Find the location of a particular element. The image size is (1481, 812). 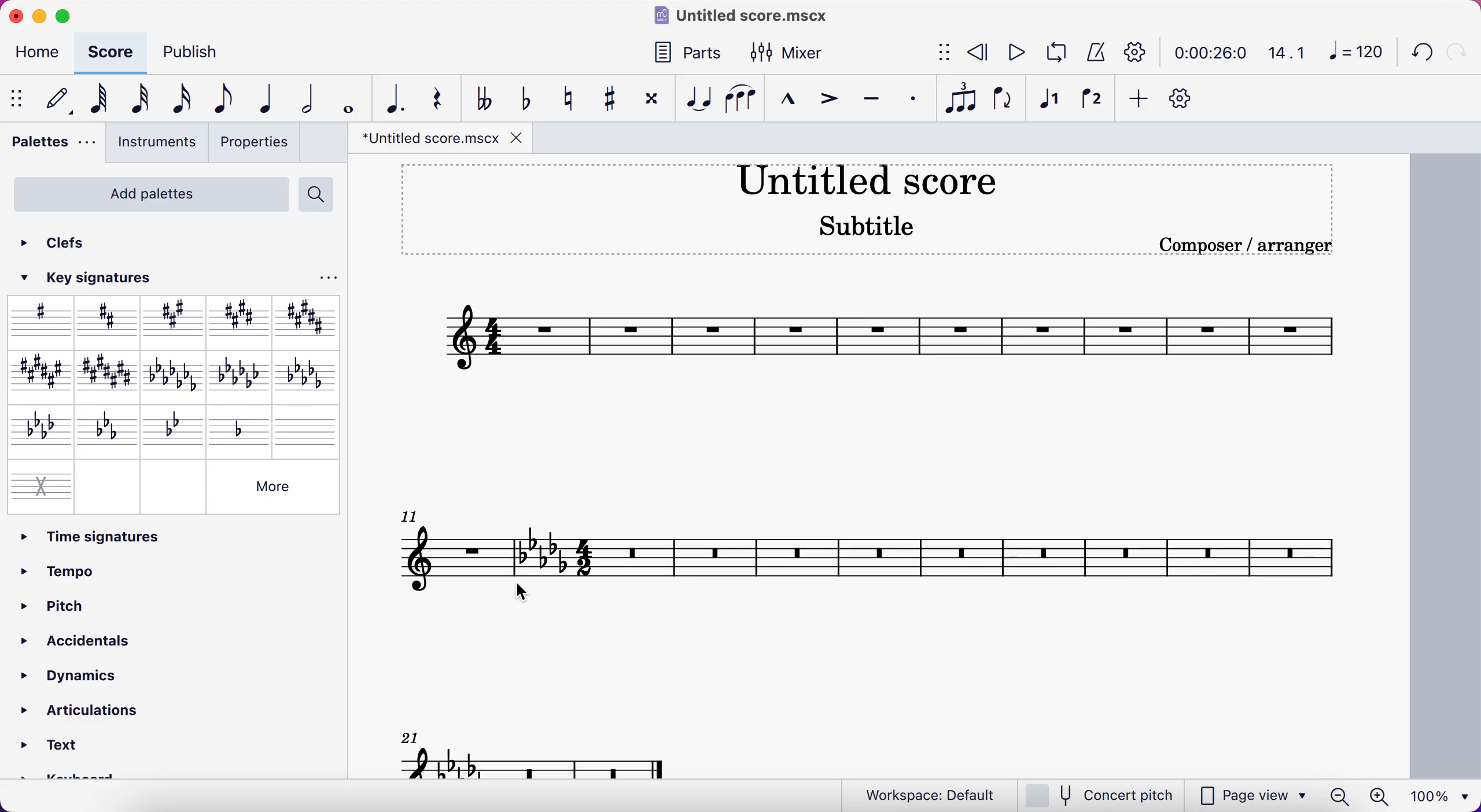

score is located at coordinates (887, 333).